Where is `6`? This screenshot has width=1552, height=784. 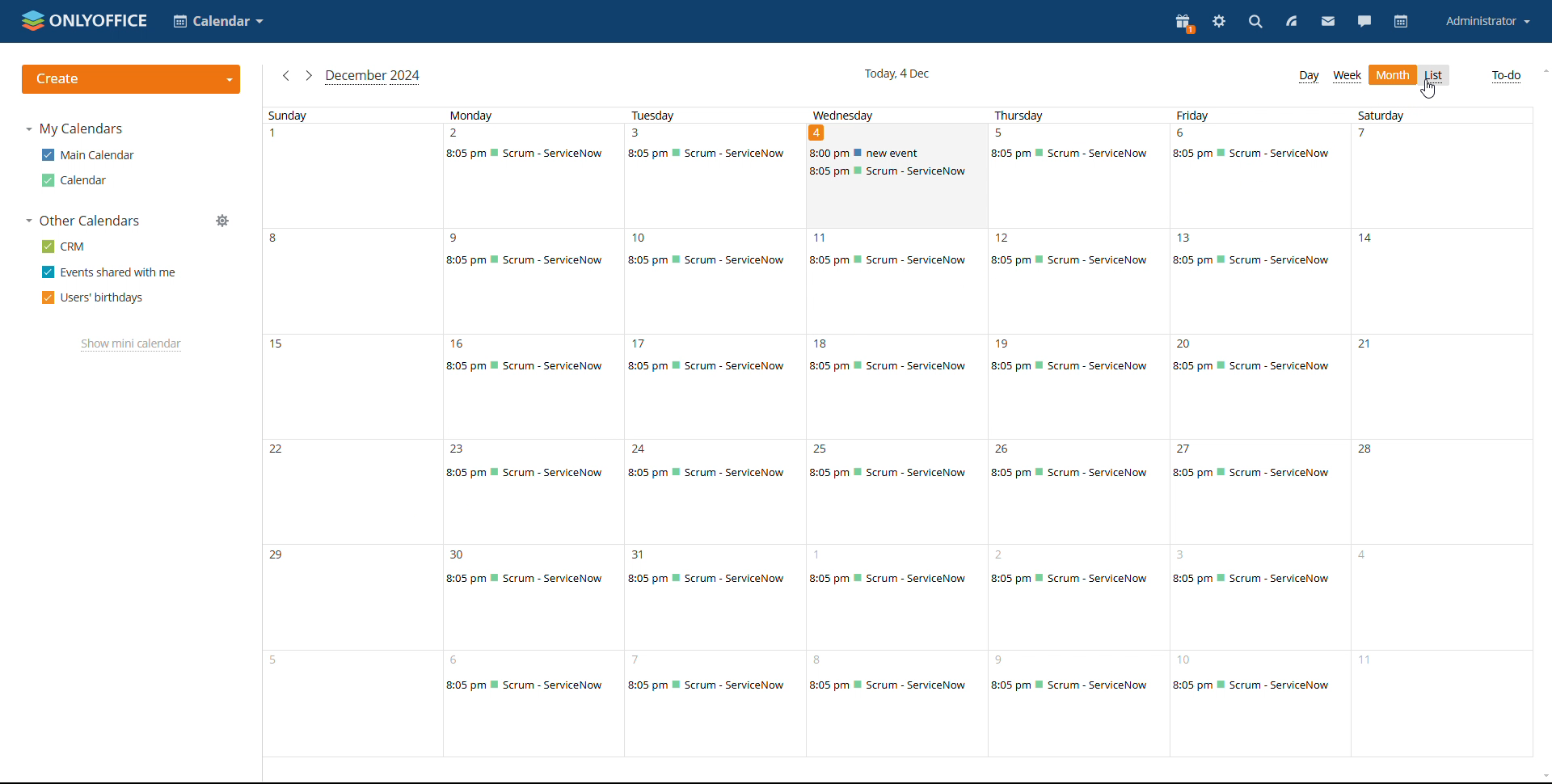 6 is located at coordinates (1182, 133).